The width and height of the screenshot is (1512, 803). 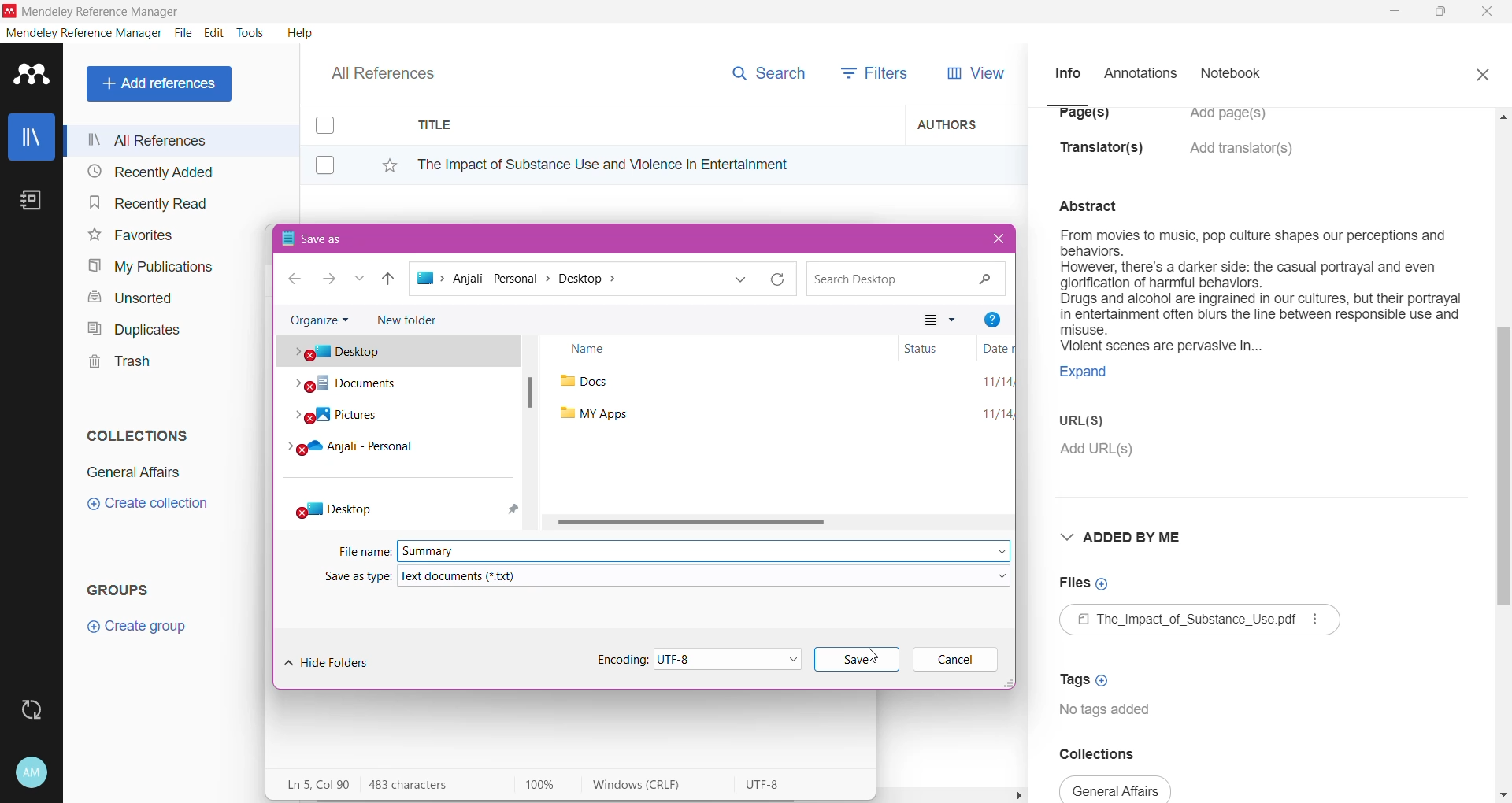 What do you see at coordinates (1098, 204) in the screenshot?
I see `abstract` at bounding box center [1098, 204].